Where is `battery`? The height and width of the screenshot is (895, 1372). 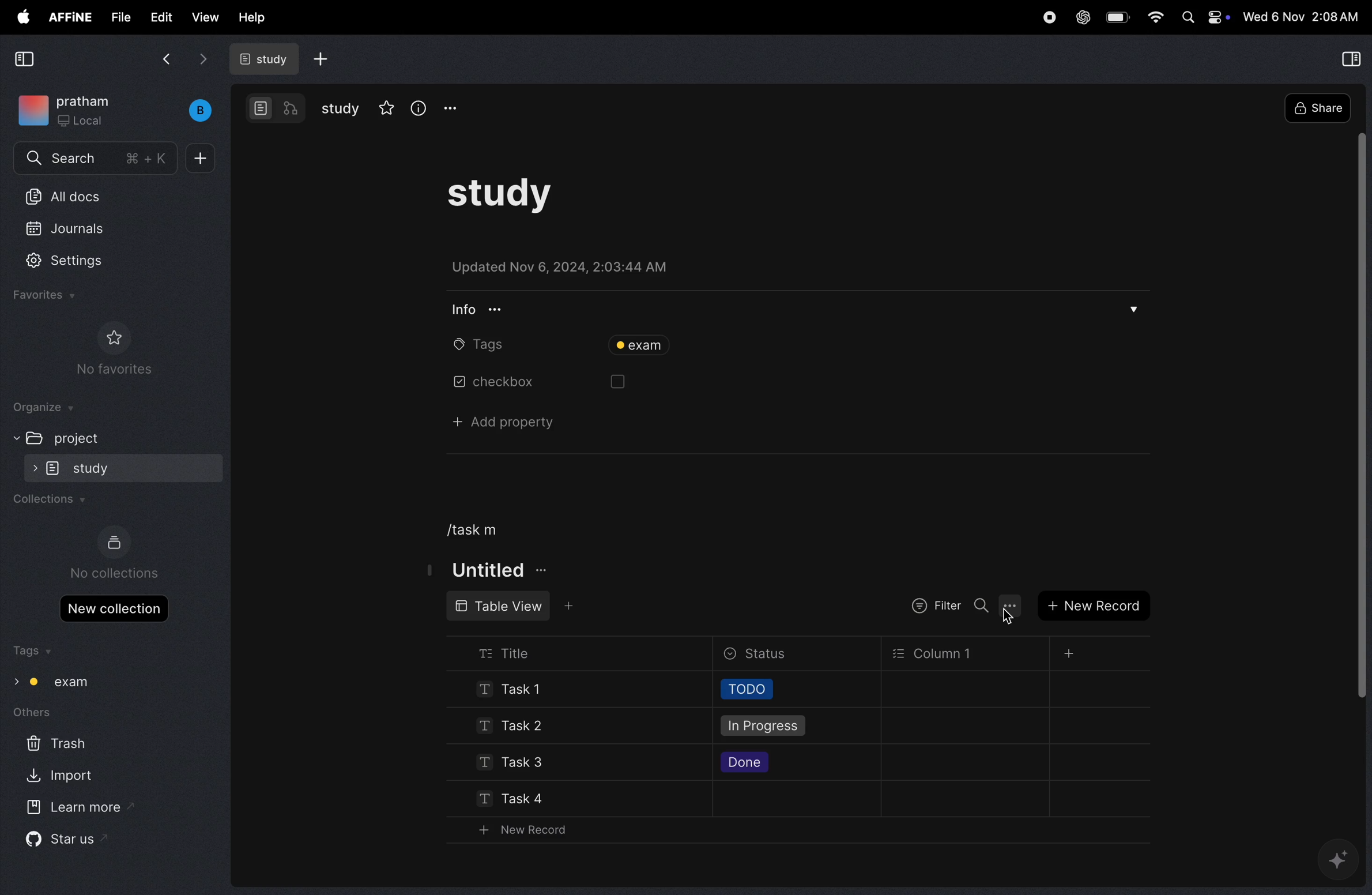
battery is located at coordinates (1115, 17).